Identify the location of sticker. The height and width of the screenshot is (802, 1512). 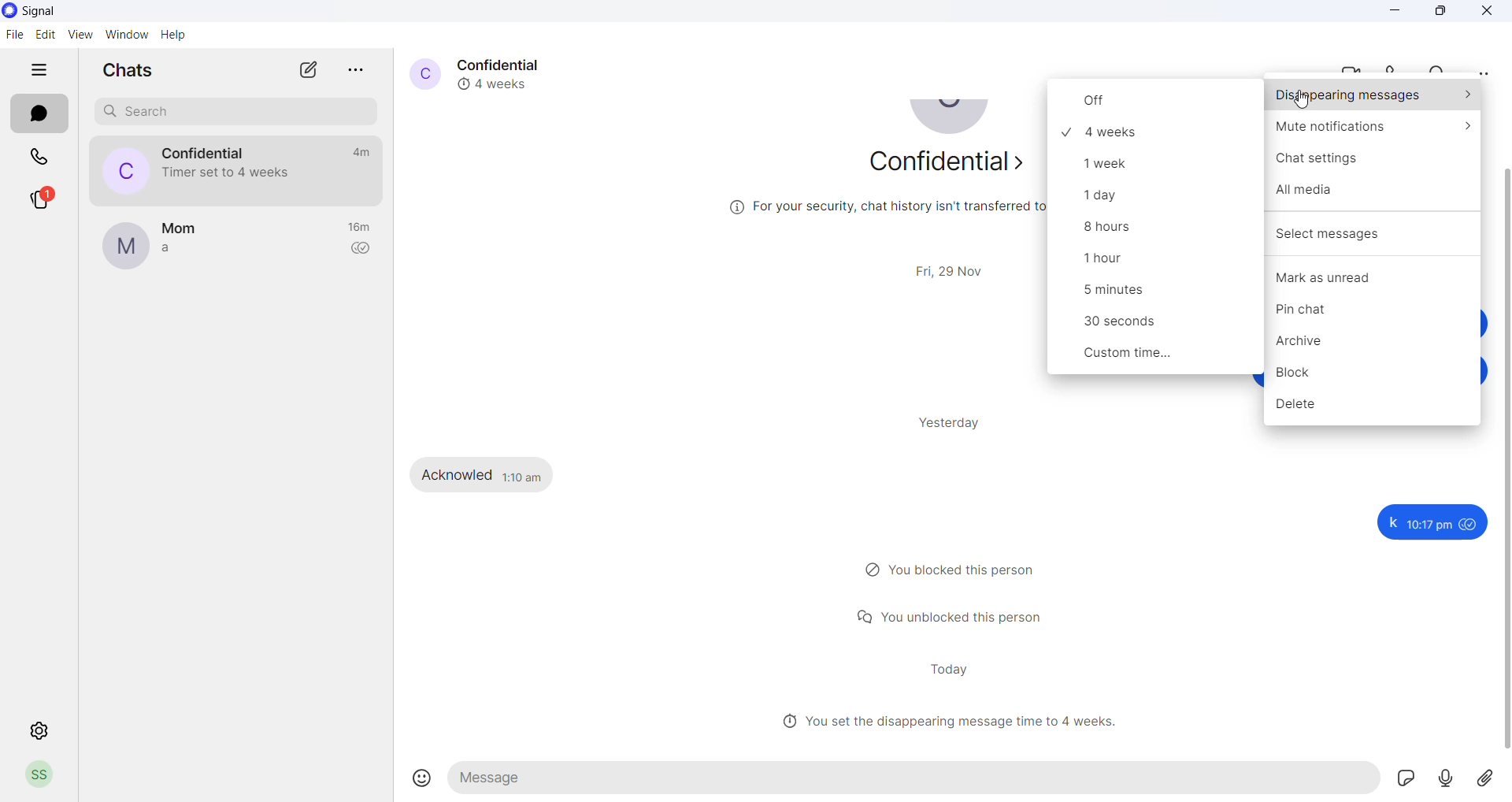
(1414, 779).